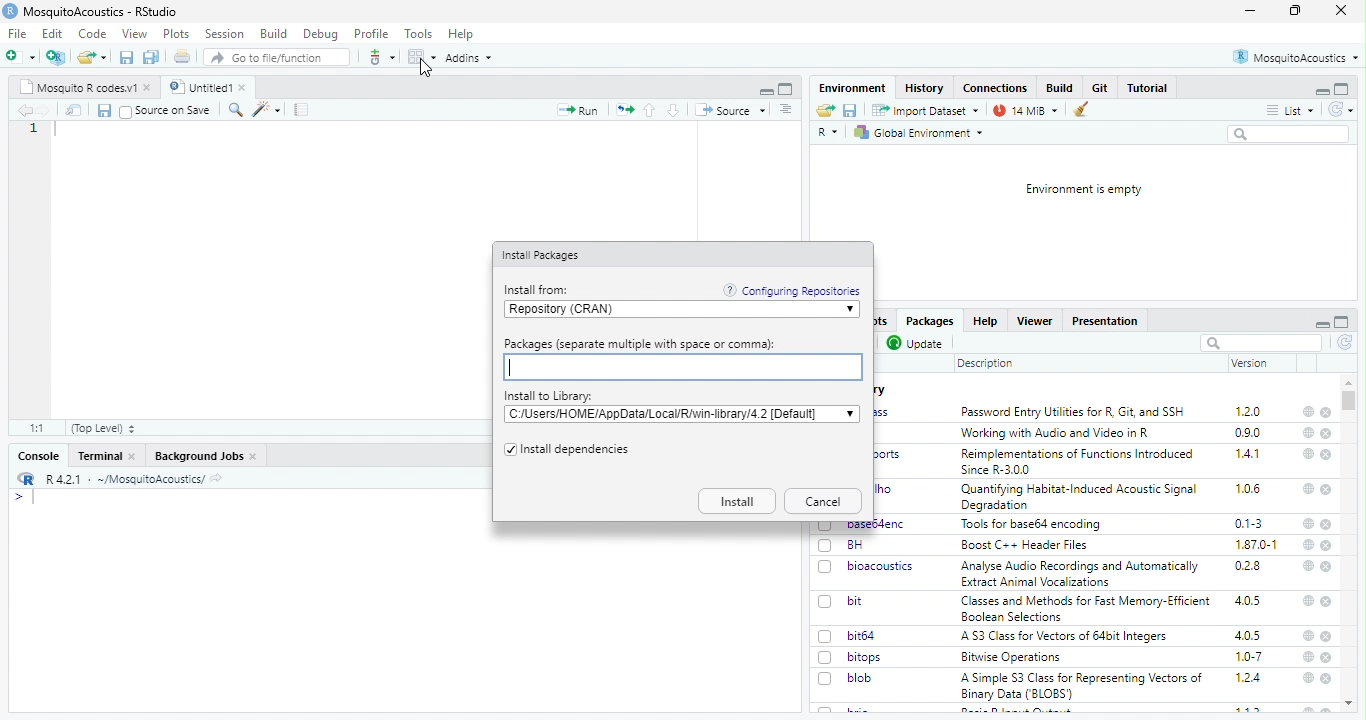 This screenshot has width=1366, height=720. Describe the element at coordinates (1102, 87) in the screenshot. I see `Git` at that location.